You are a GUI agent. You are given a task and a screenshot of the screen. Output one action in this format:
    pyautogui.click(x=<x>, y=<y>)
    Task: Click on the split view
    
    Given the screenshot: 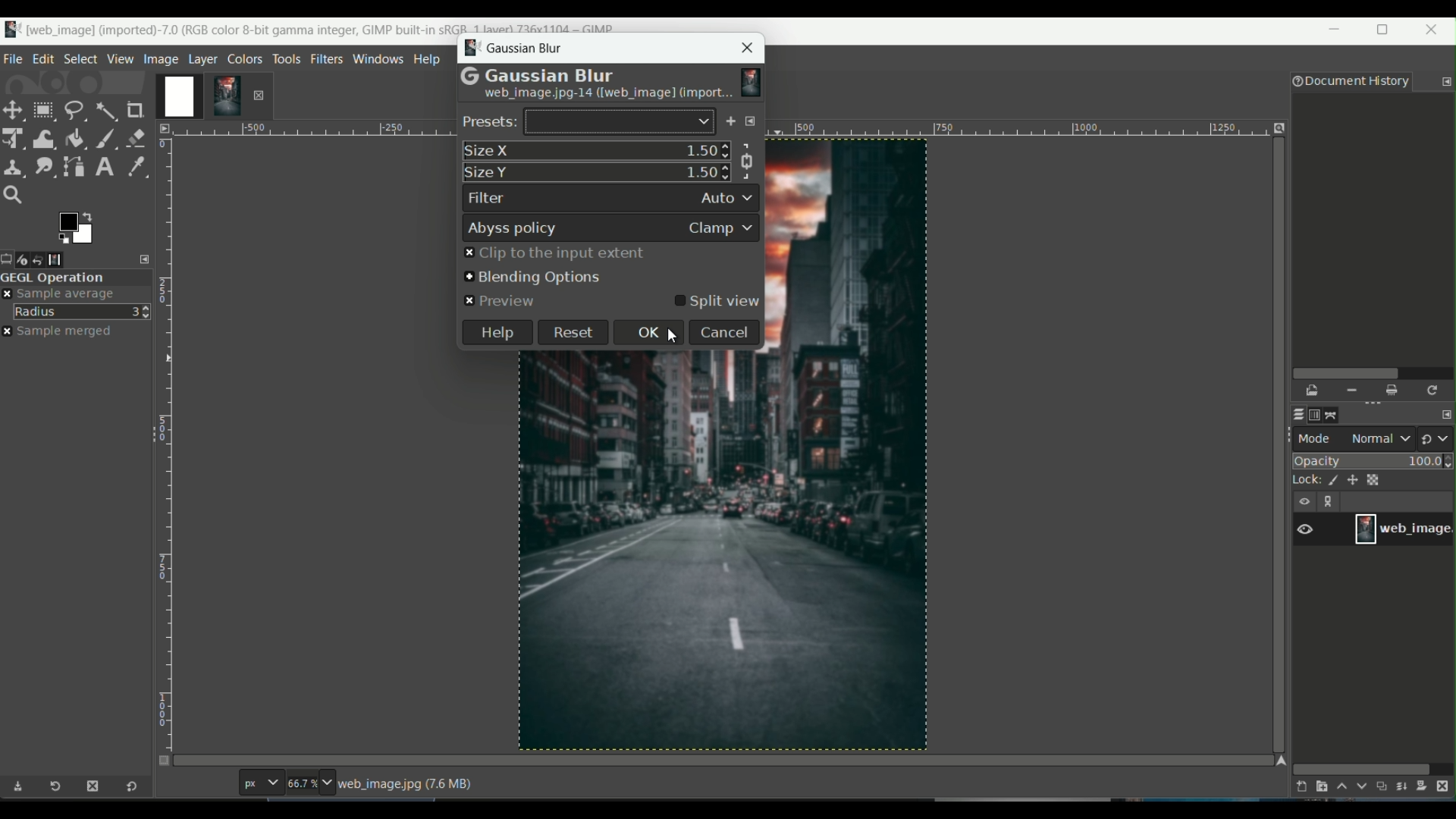 What is the action you would take?
    pyautogui.click(x=717, y=302)
    